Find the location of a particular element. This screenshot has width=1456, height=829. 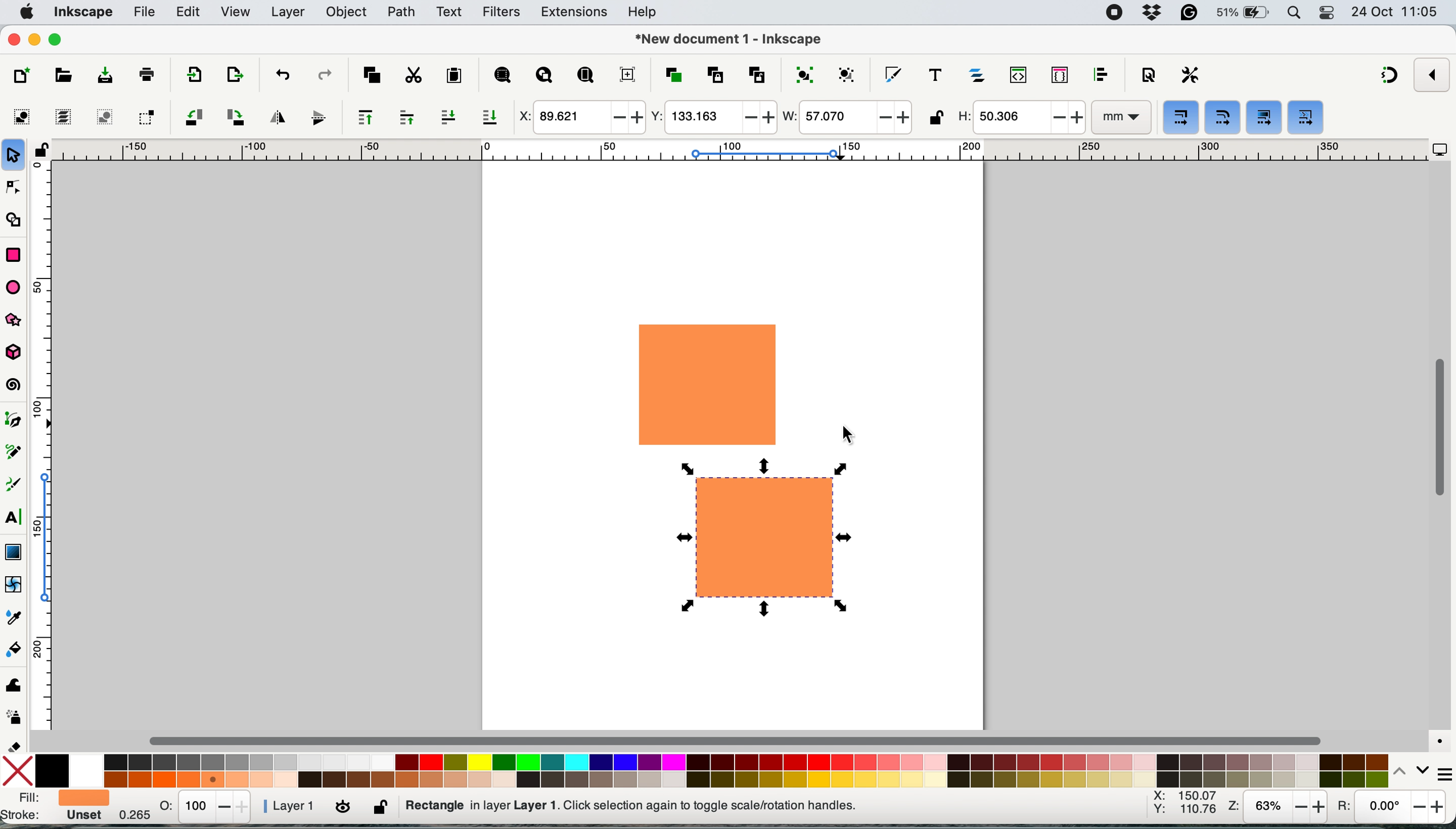

raise selection one step is located at coordinates (406, 118).